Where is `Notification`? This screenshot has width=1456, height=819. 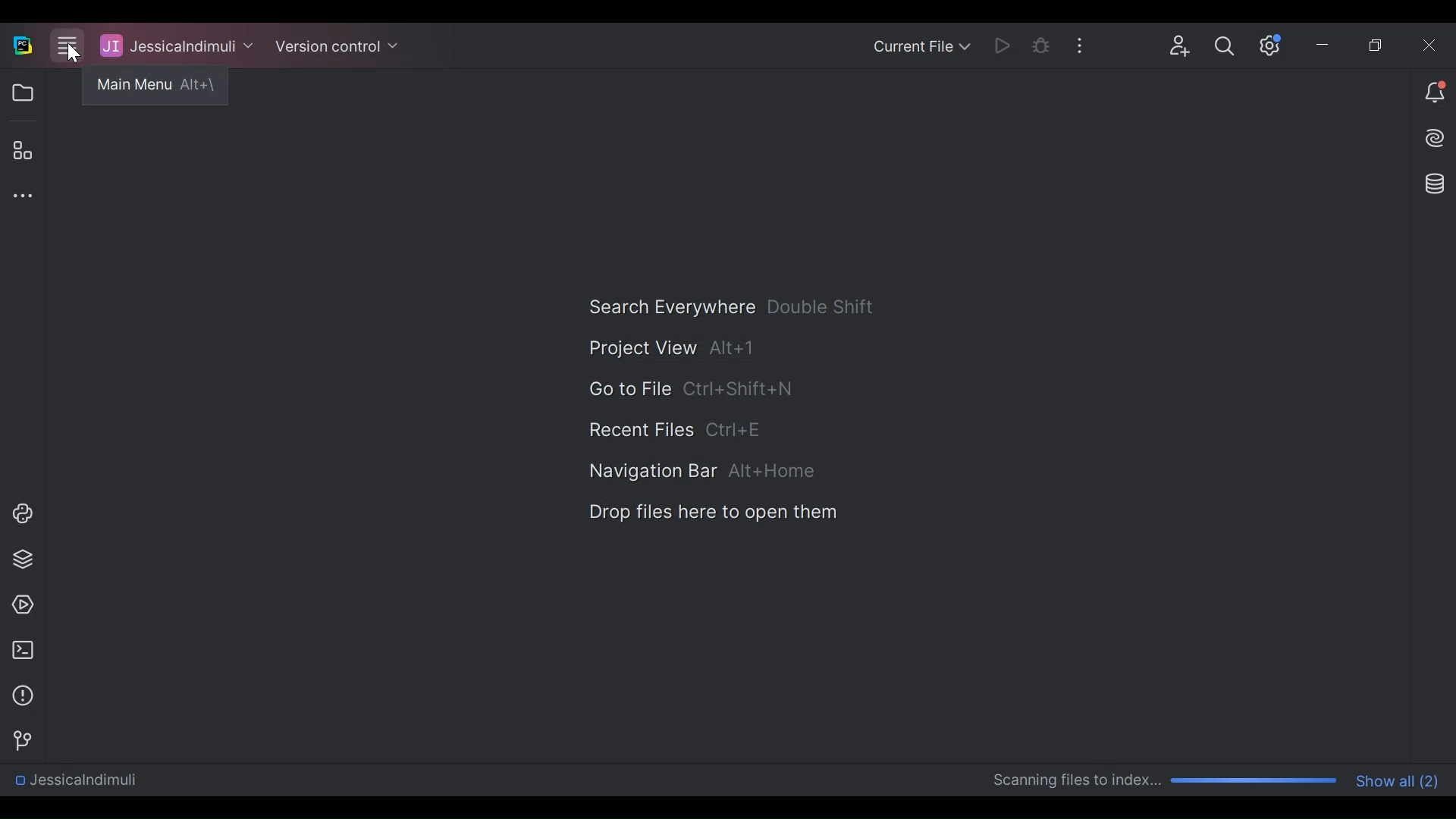
Notification is located at coordinates (1434, 93).